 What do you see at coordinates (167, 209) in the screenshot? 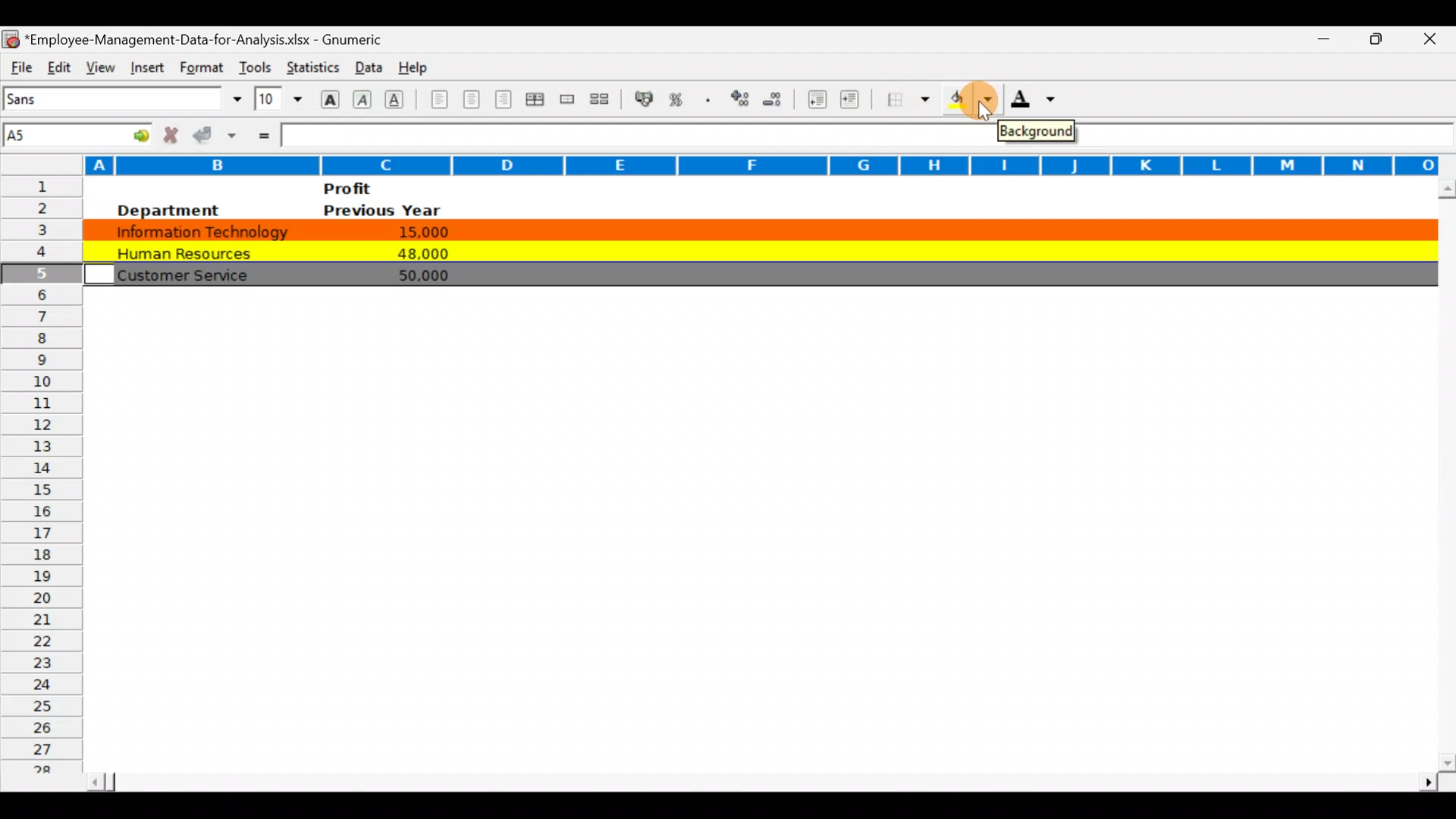
I see `Department` at bounding box center [167, 209].